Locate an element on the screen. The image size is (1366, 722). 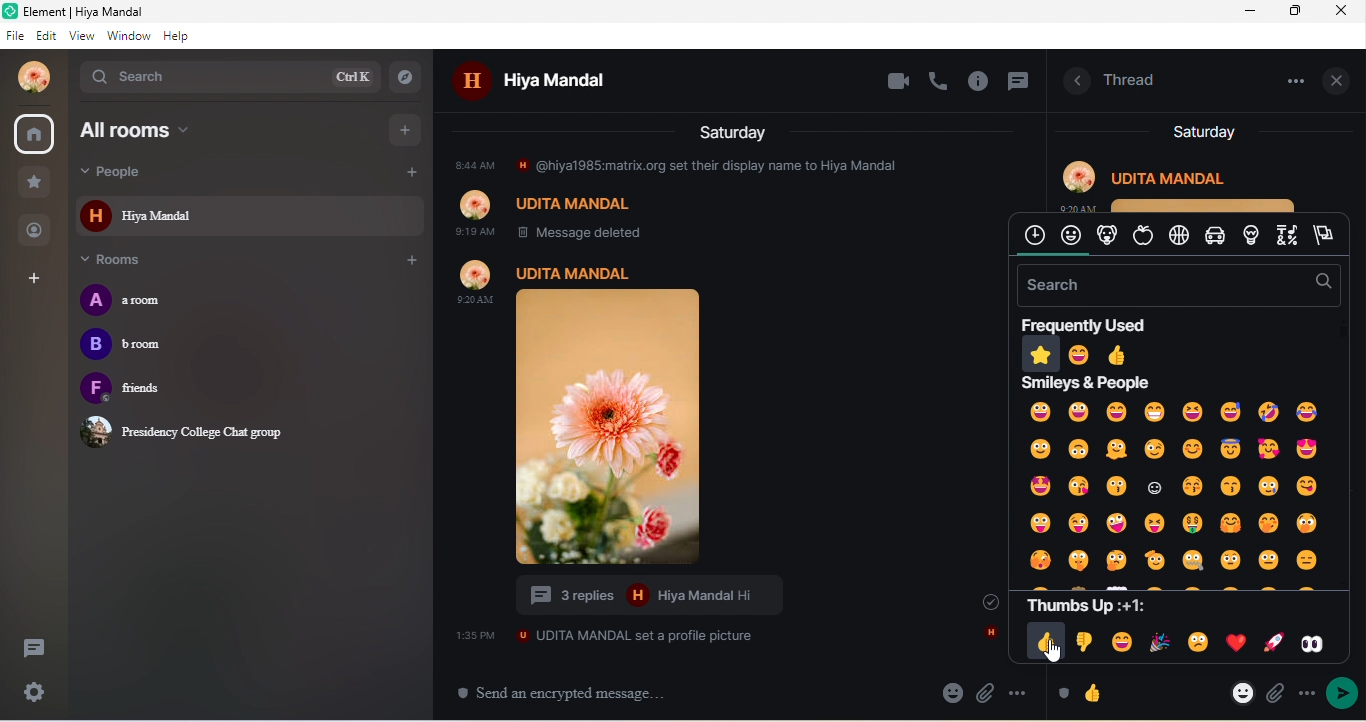
add is located at coordinates (408, 174).